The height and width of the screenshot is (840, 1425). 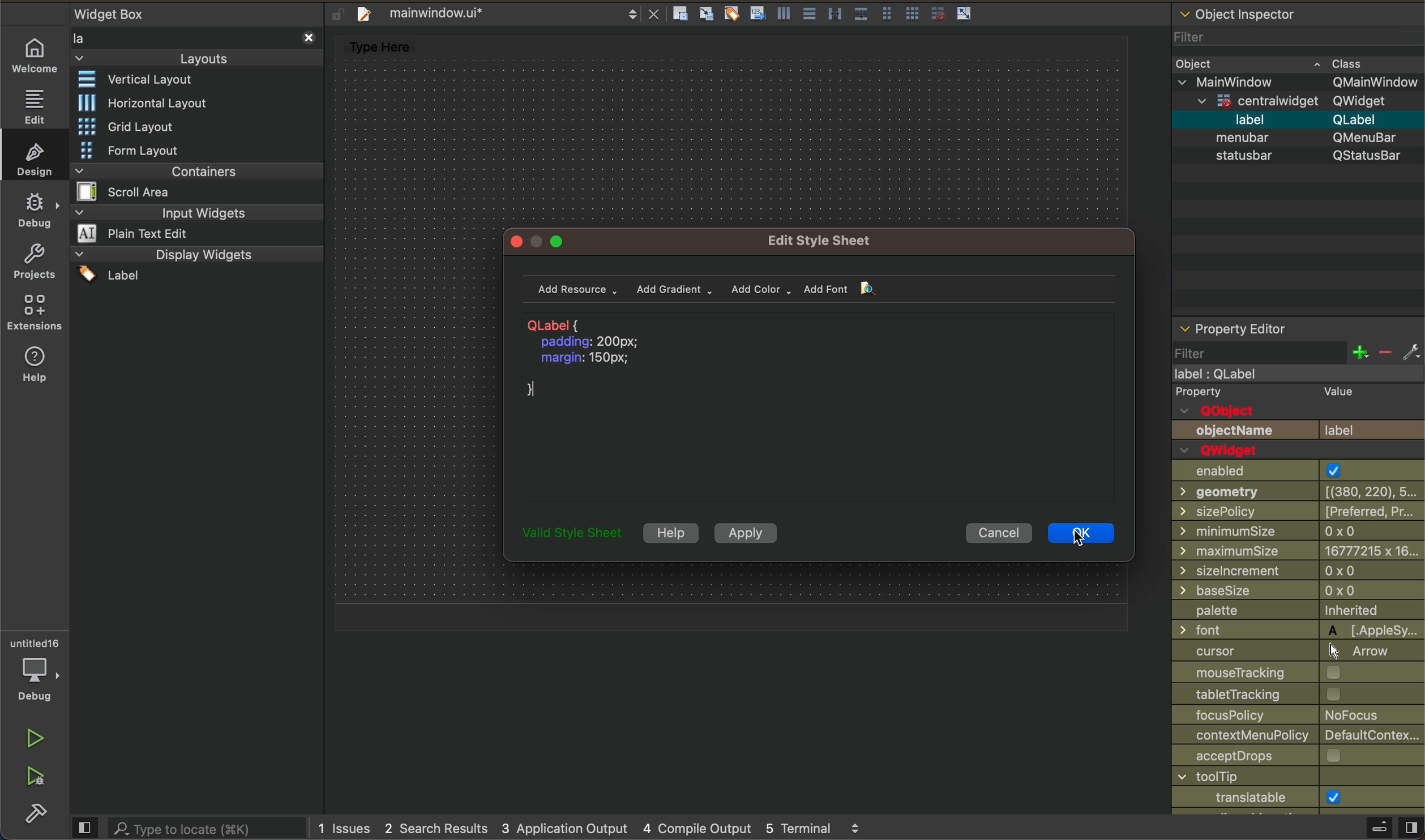 I want to click on help, so click(x=35, y=367).